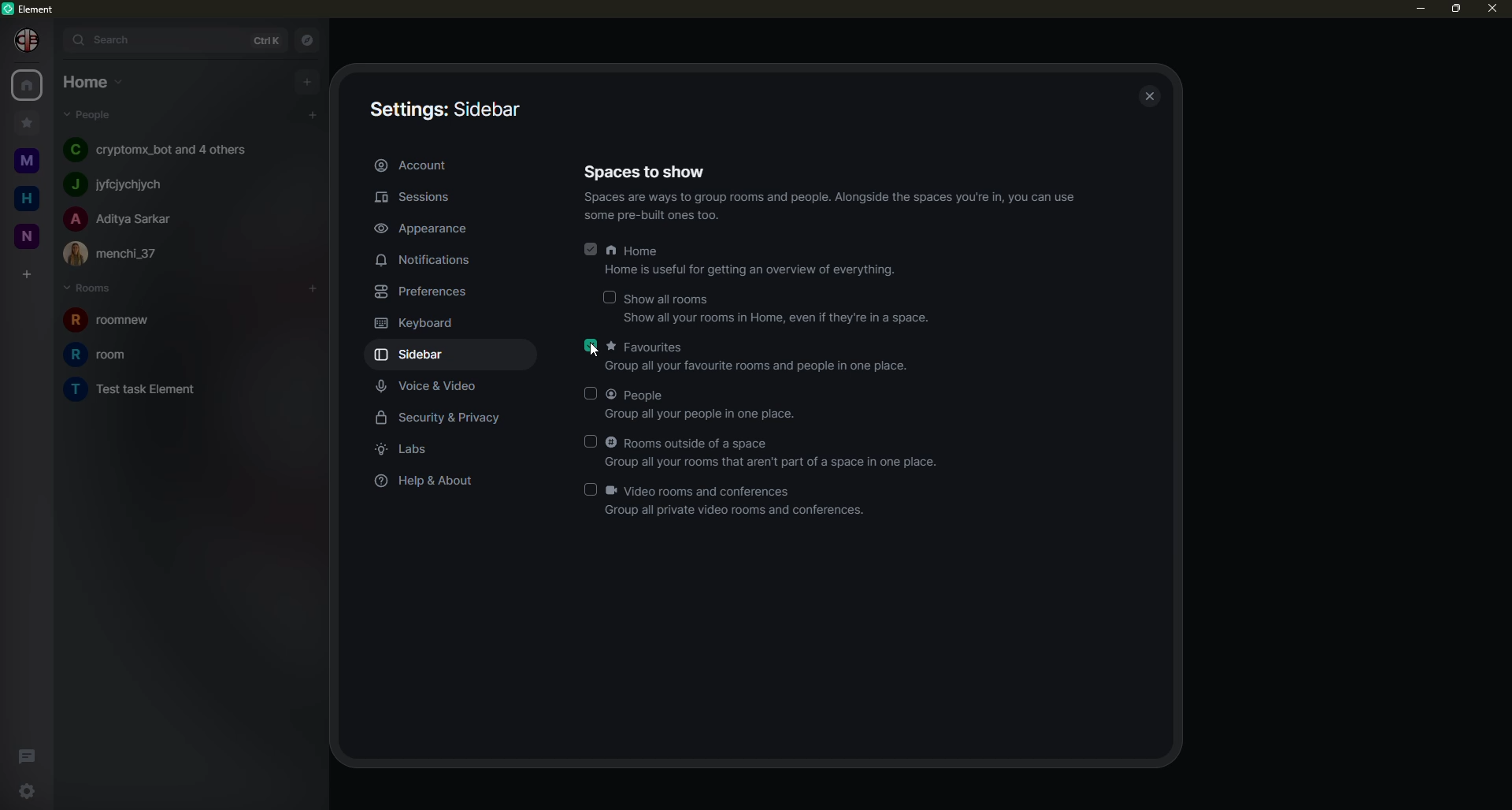 The height and width of the screenshot is (810, 1512). I want to click on quick settings, so click(29, 790).